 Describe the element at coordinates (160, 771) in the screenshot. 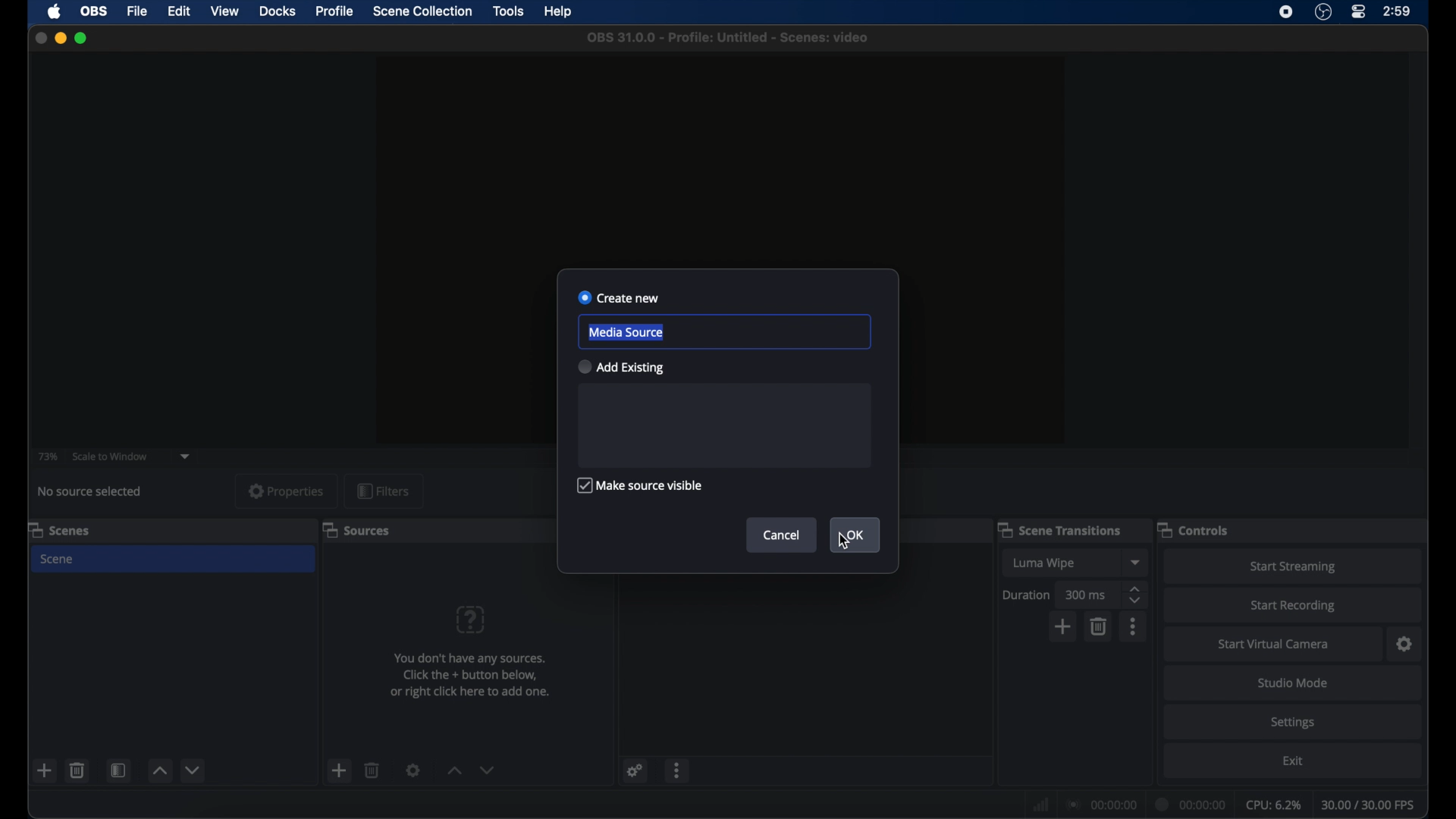

I see `increment` at that location.